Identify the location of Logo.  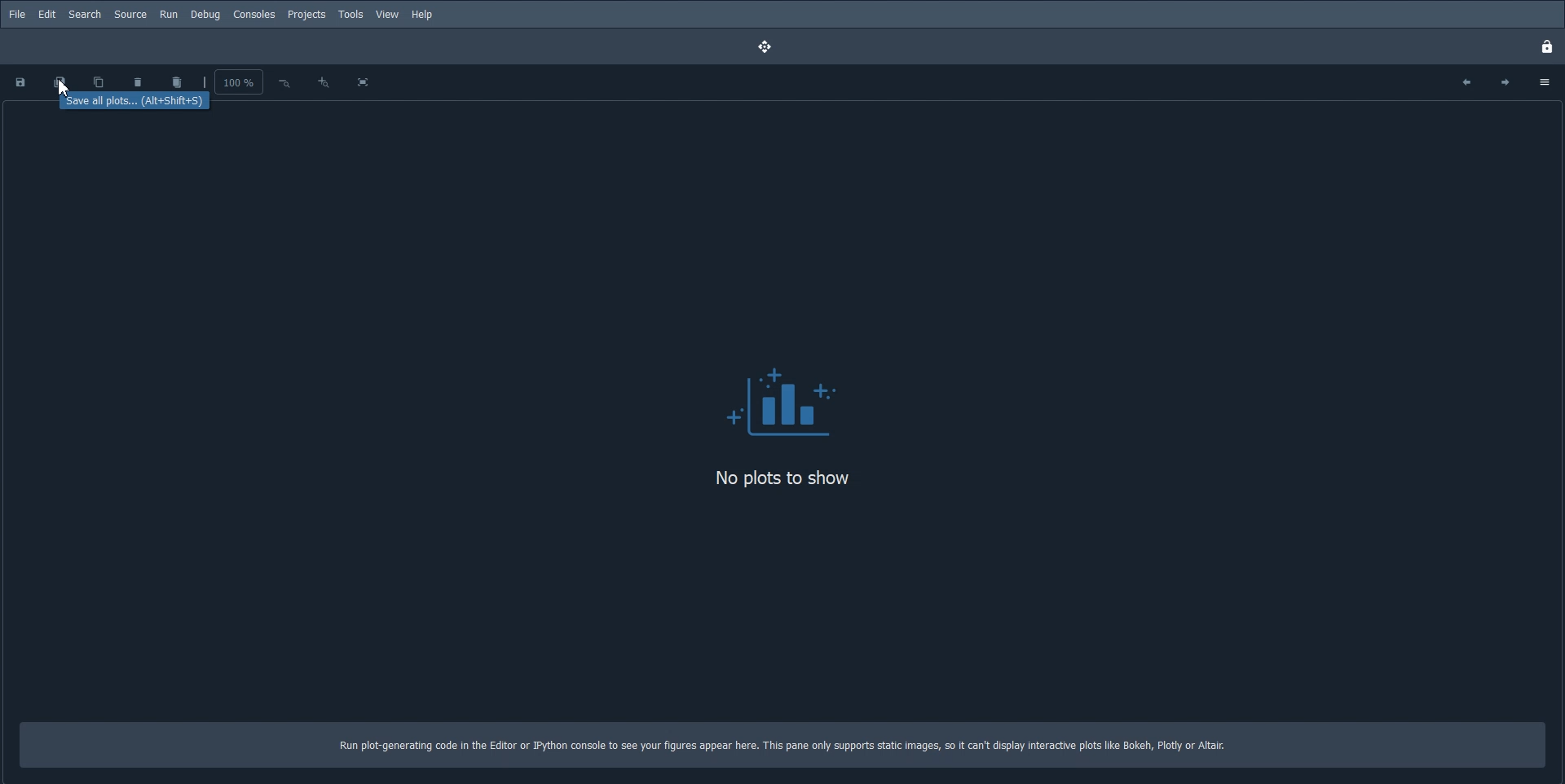
(791, 426).